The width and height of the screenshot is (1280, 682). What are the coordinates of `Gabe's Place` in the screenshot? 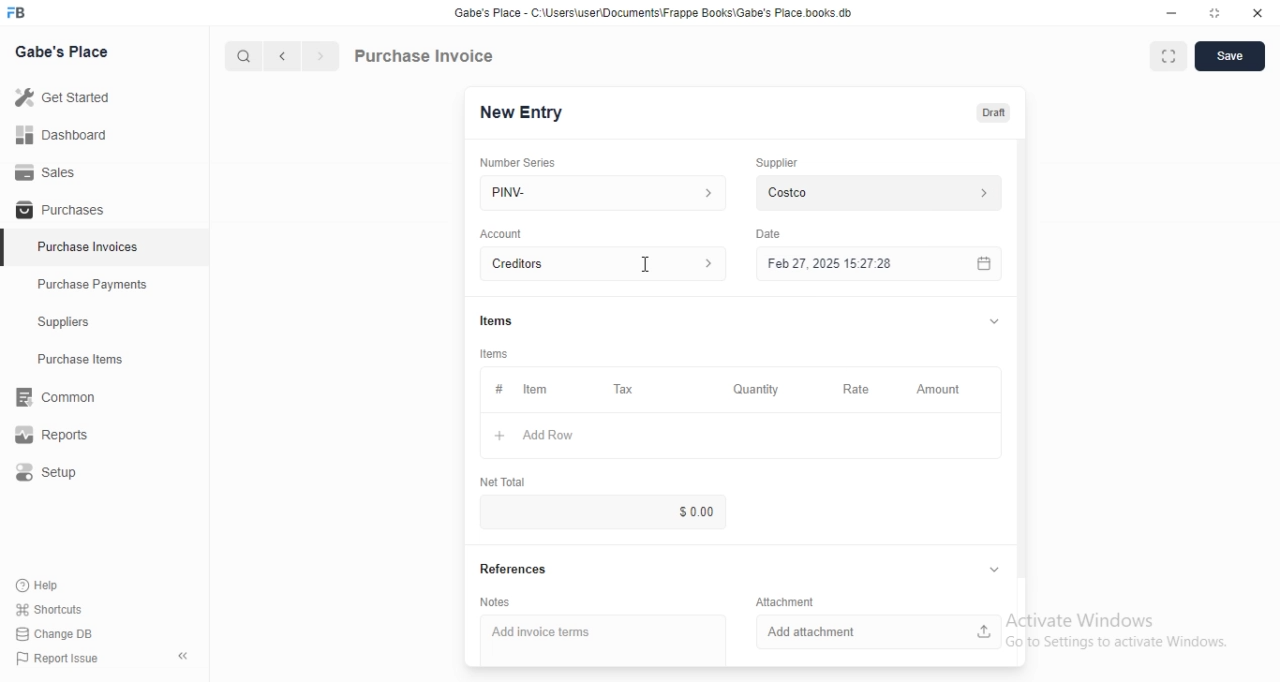 It's located at (61, 51).